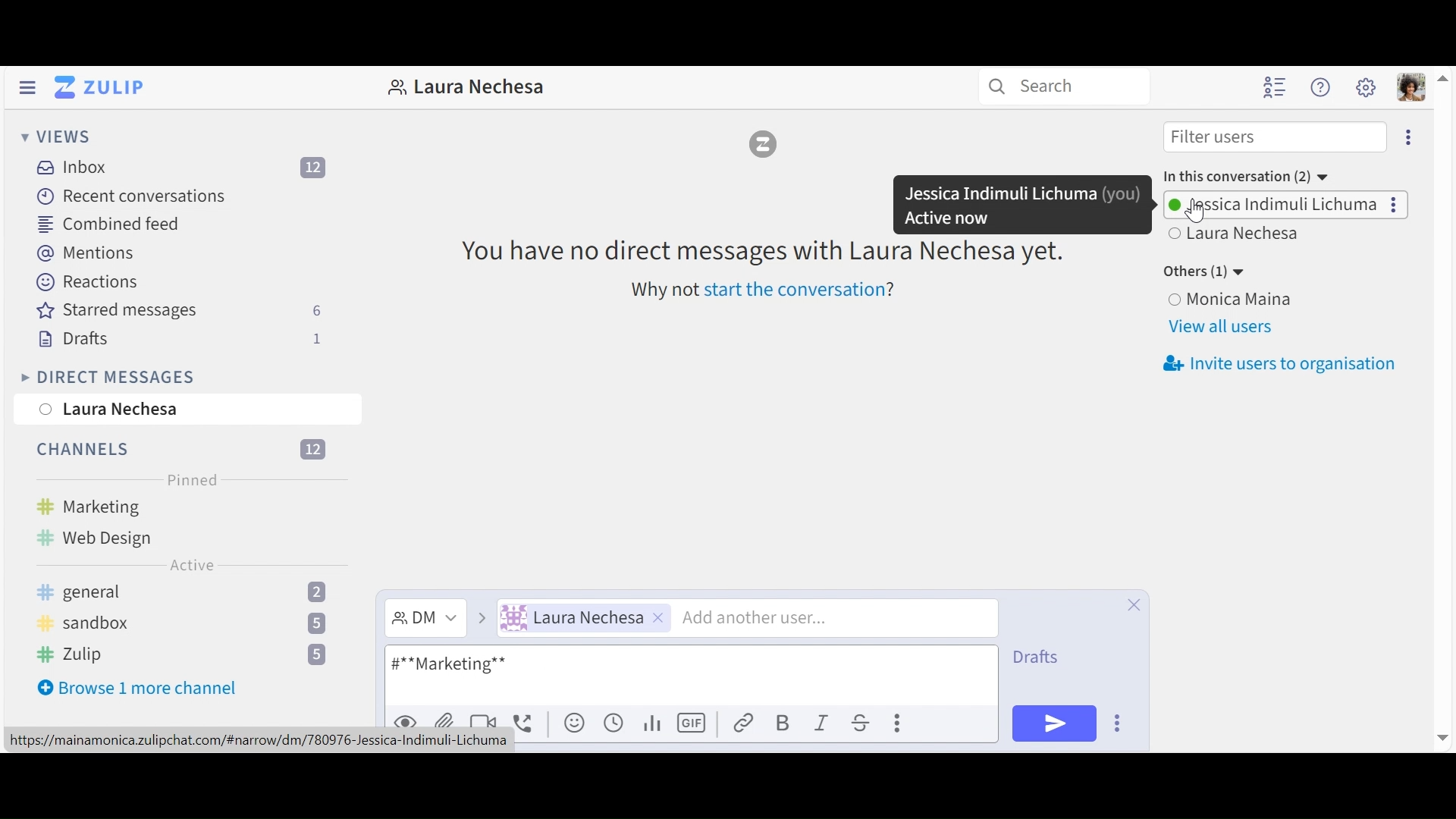  I want to click on Zulip logo, so click(766, 147).